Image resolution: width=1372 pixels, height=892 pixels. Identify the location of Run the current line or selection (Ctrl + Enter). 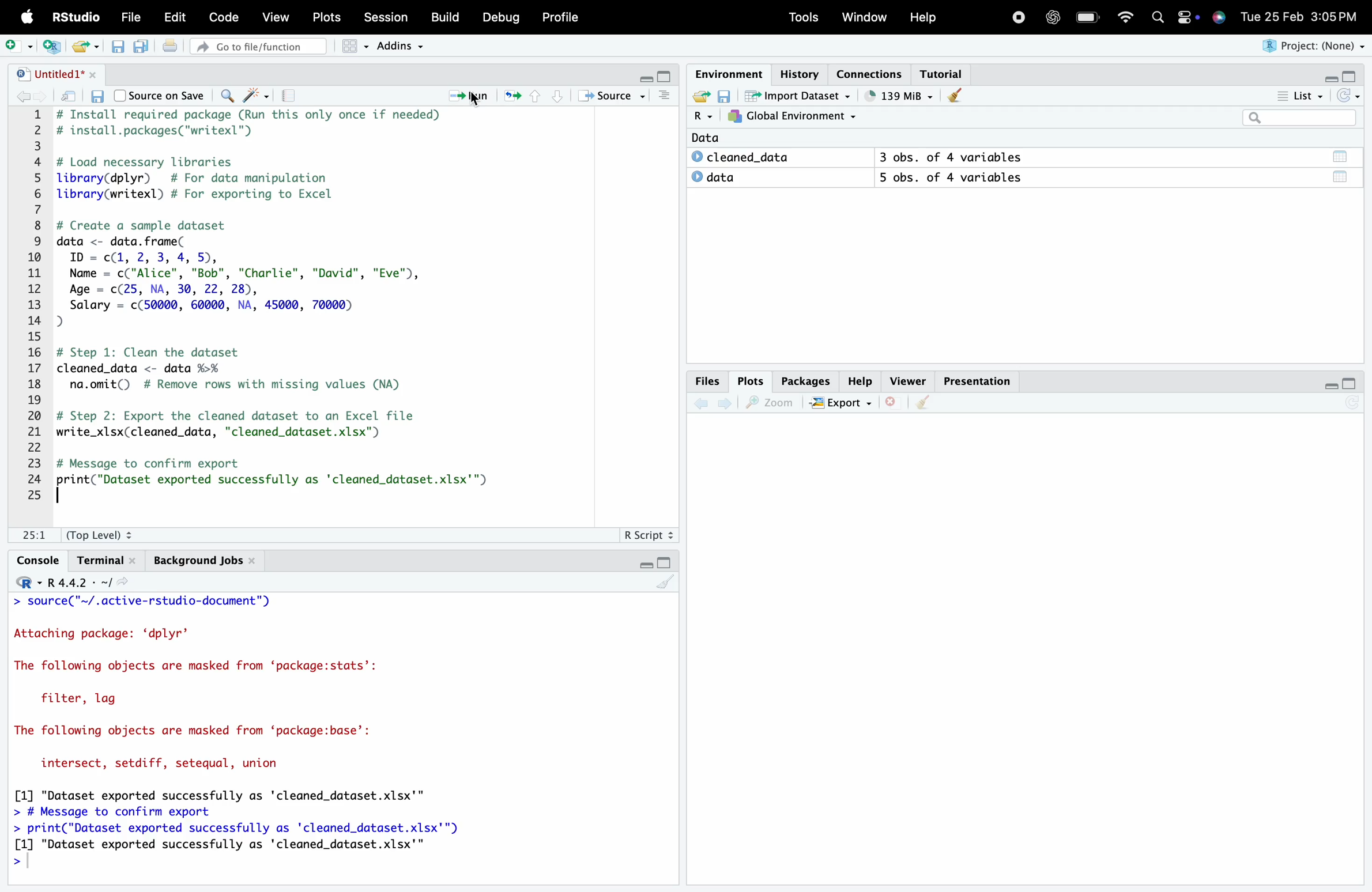
(464, 96).